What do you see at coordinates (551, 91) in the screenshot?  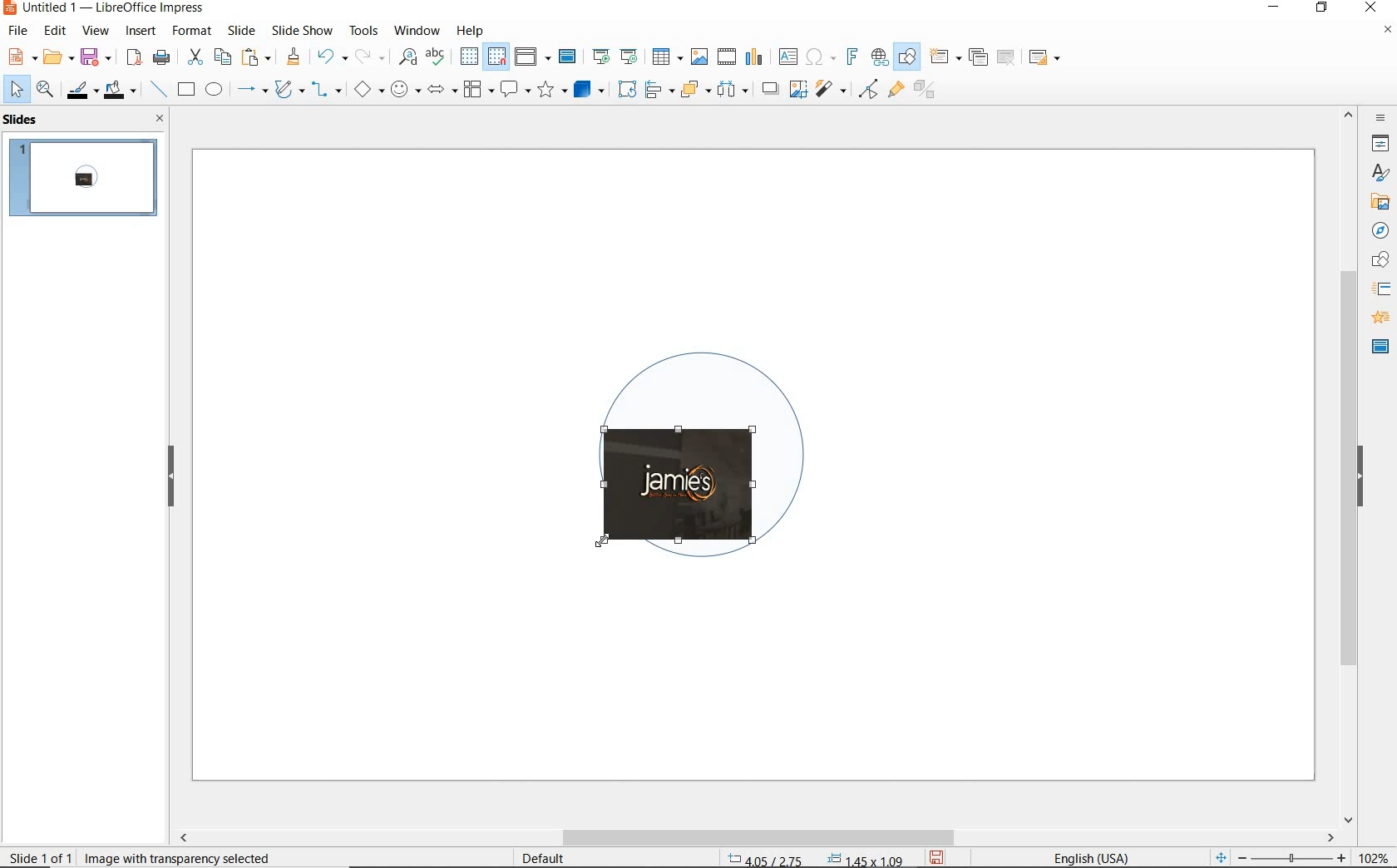 I see `stars and banners` at bounding box center [551, 91].